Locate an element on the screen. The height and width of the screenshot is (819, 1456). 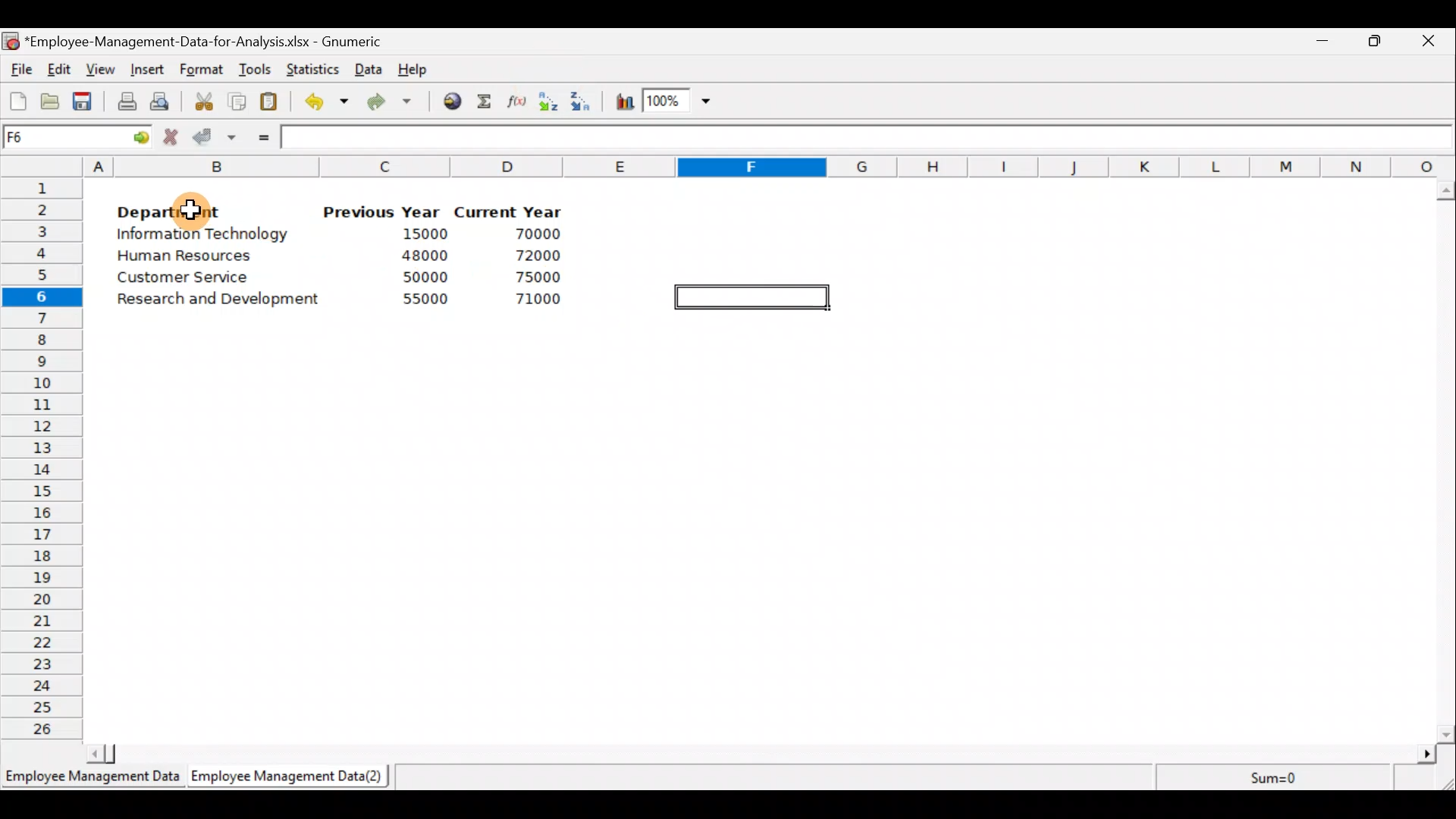
Cursor hovering on cell B2 is located at coordinates (202, 206).